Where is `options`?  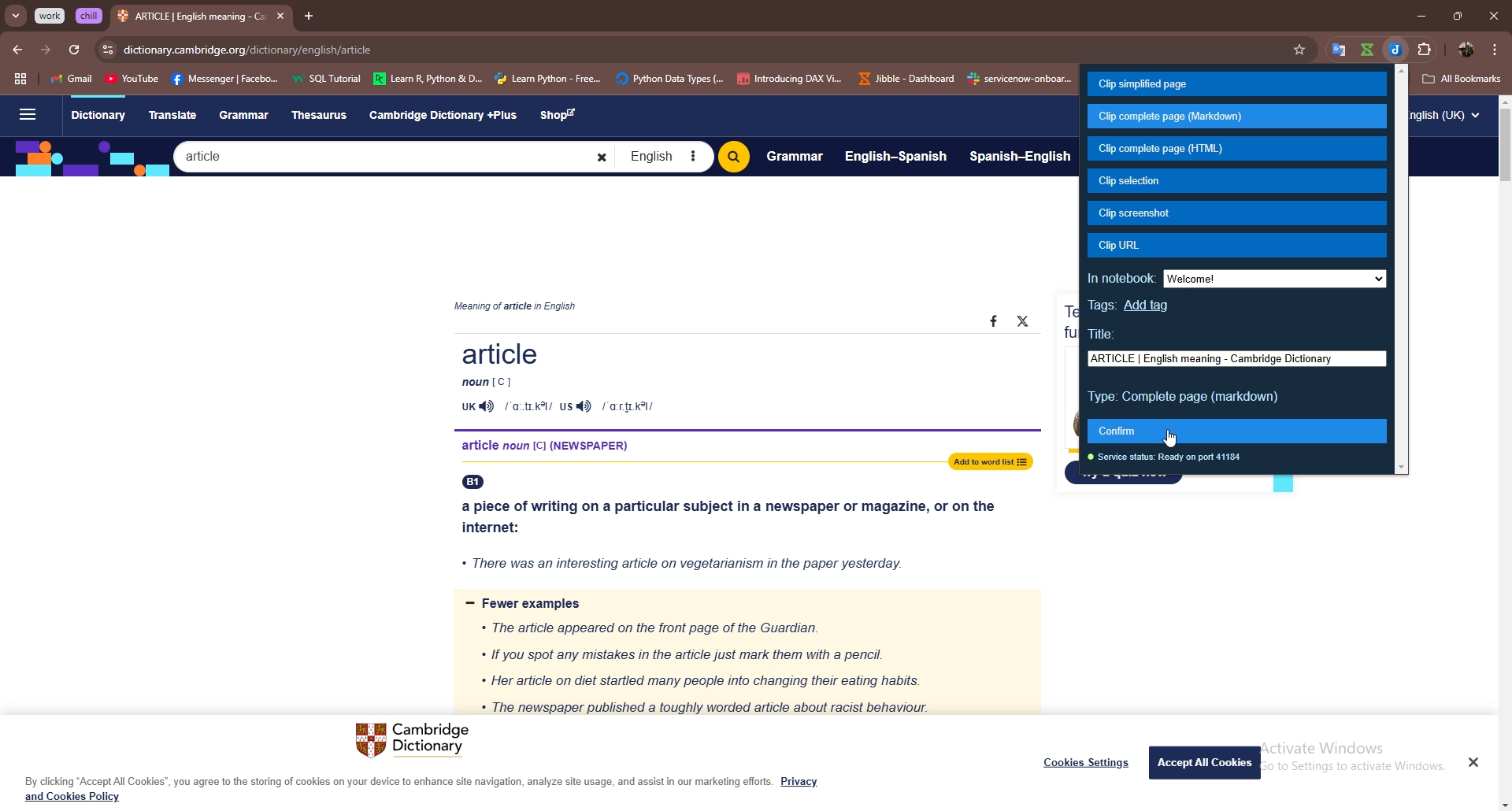 options is located at coordinates (1495, 49).